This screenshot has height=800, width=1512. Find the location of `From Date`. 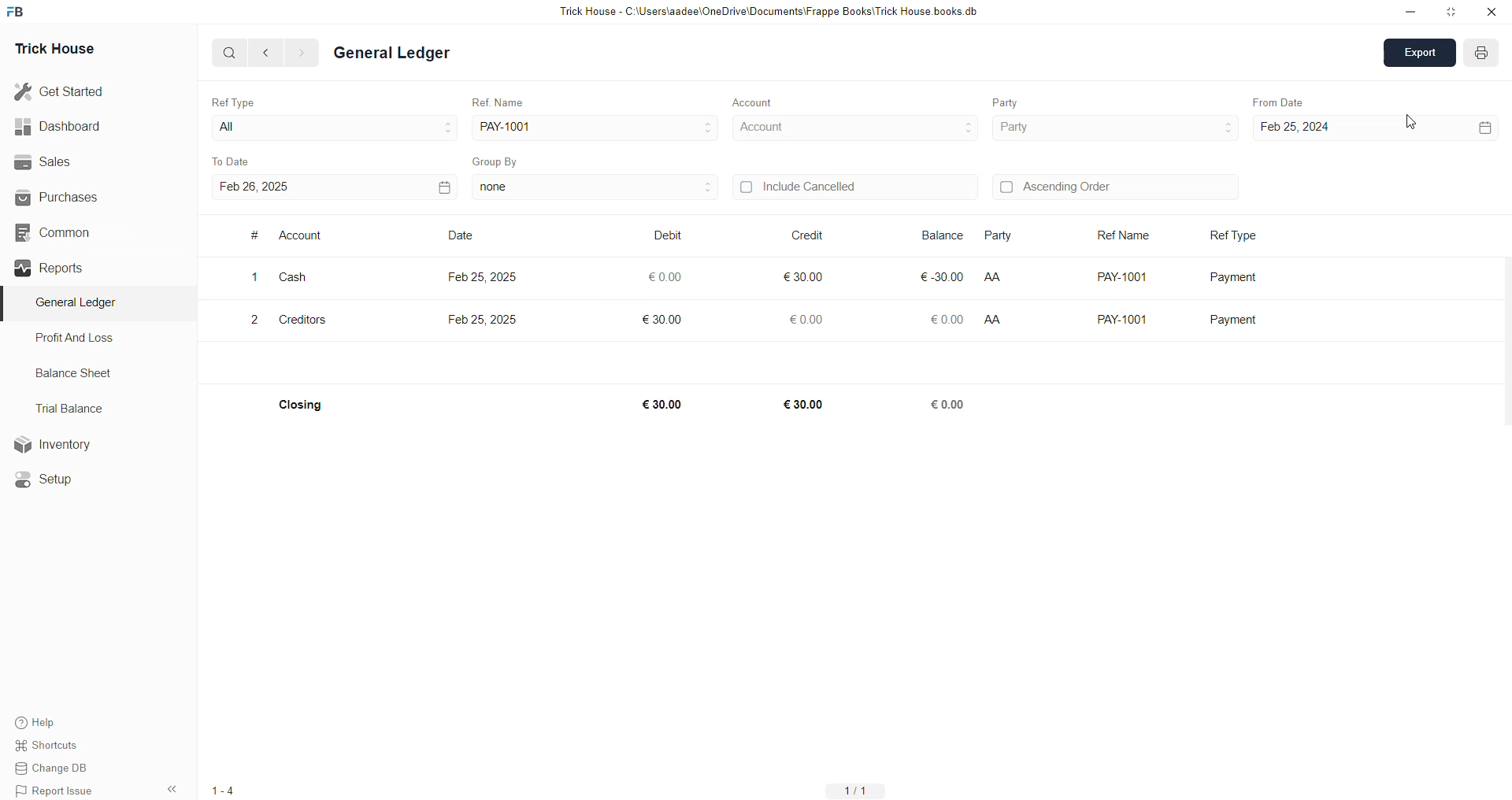

From Date is located at coordinates (1280, 101).